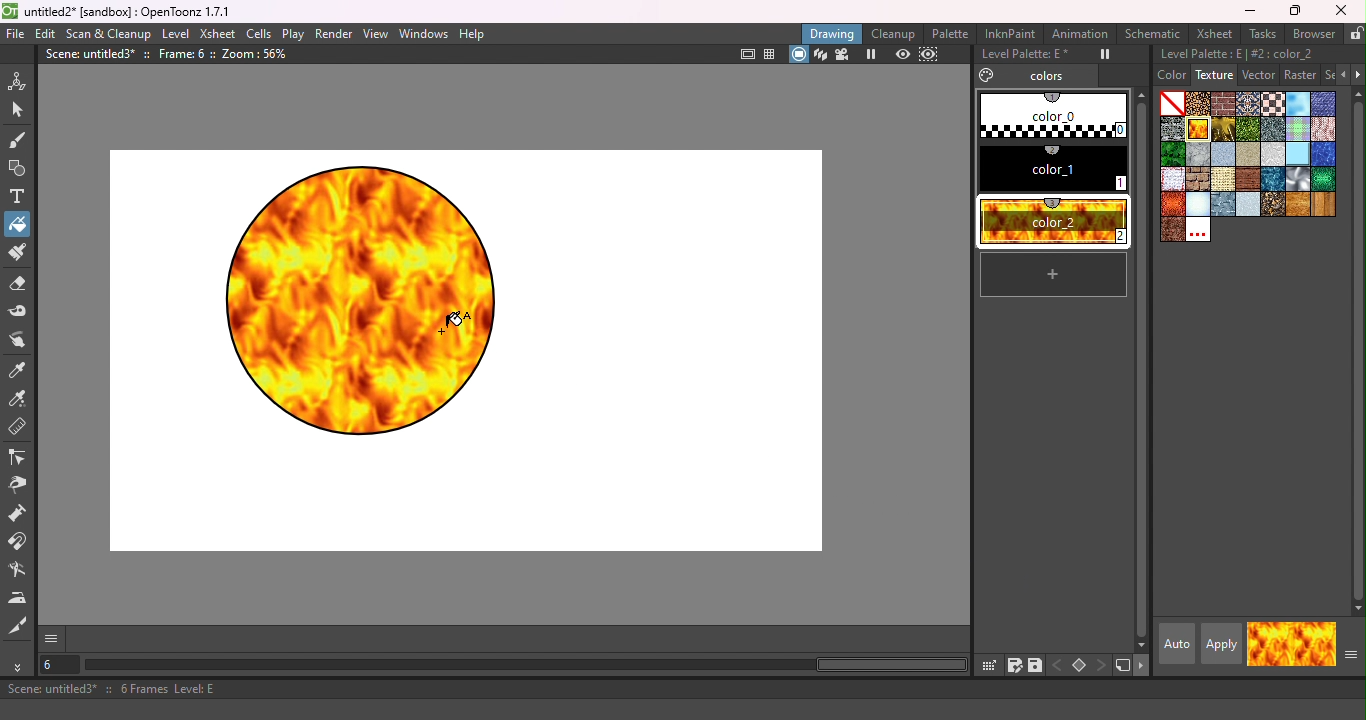 The width and height of the screenshot is (1366, 720). What do you see at coordinates (872, 54) in the screenshot?
I see `Freeze` at bounding box center [872, 54].